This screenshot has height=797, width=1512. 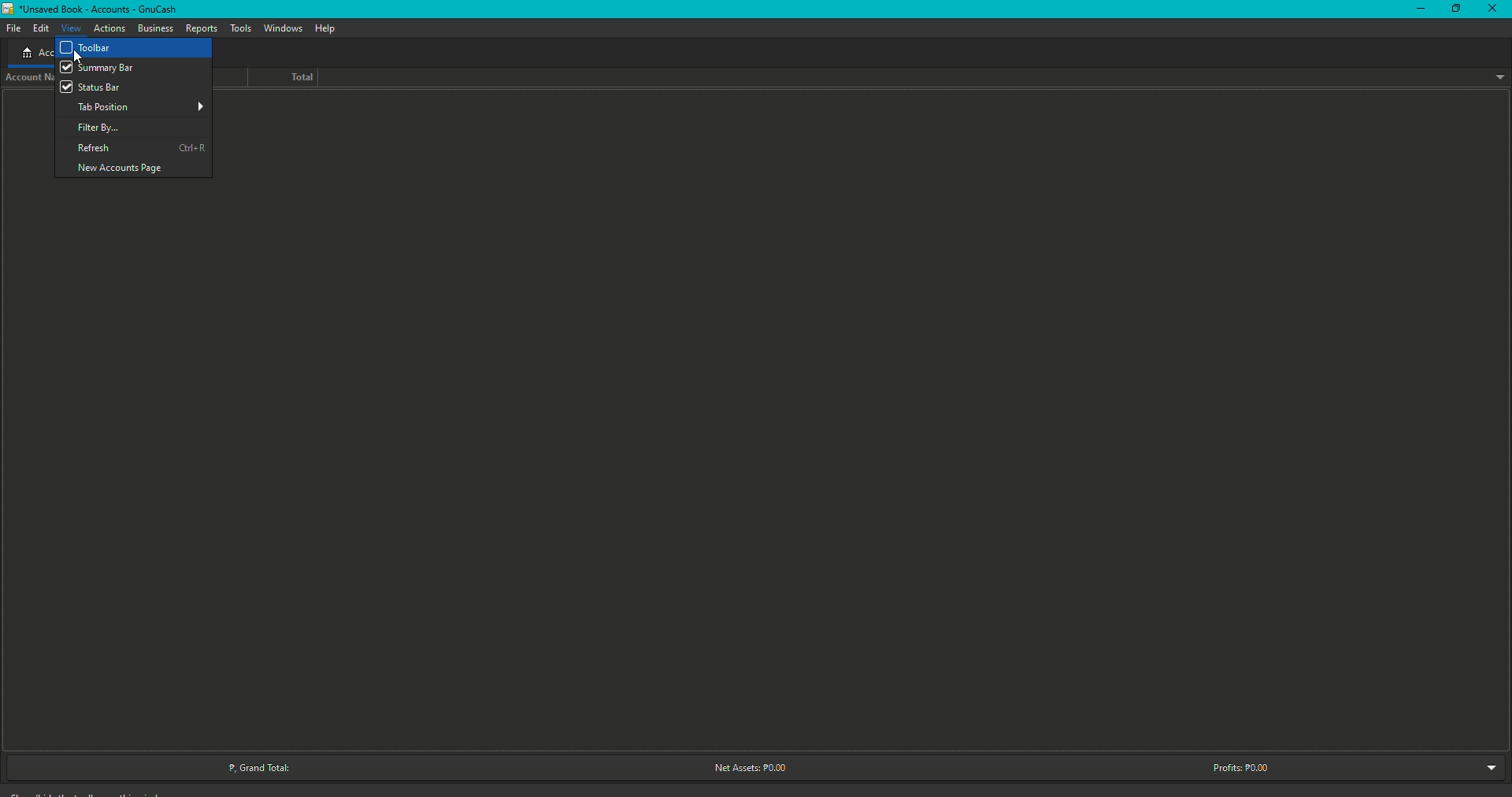 What do you see at coordinates (254, 768) in the screenshot?
I see `Grand Total` at bounding box center [254, 768].